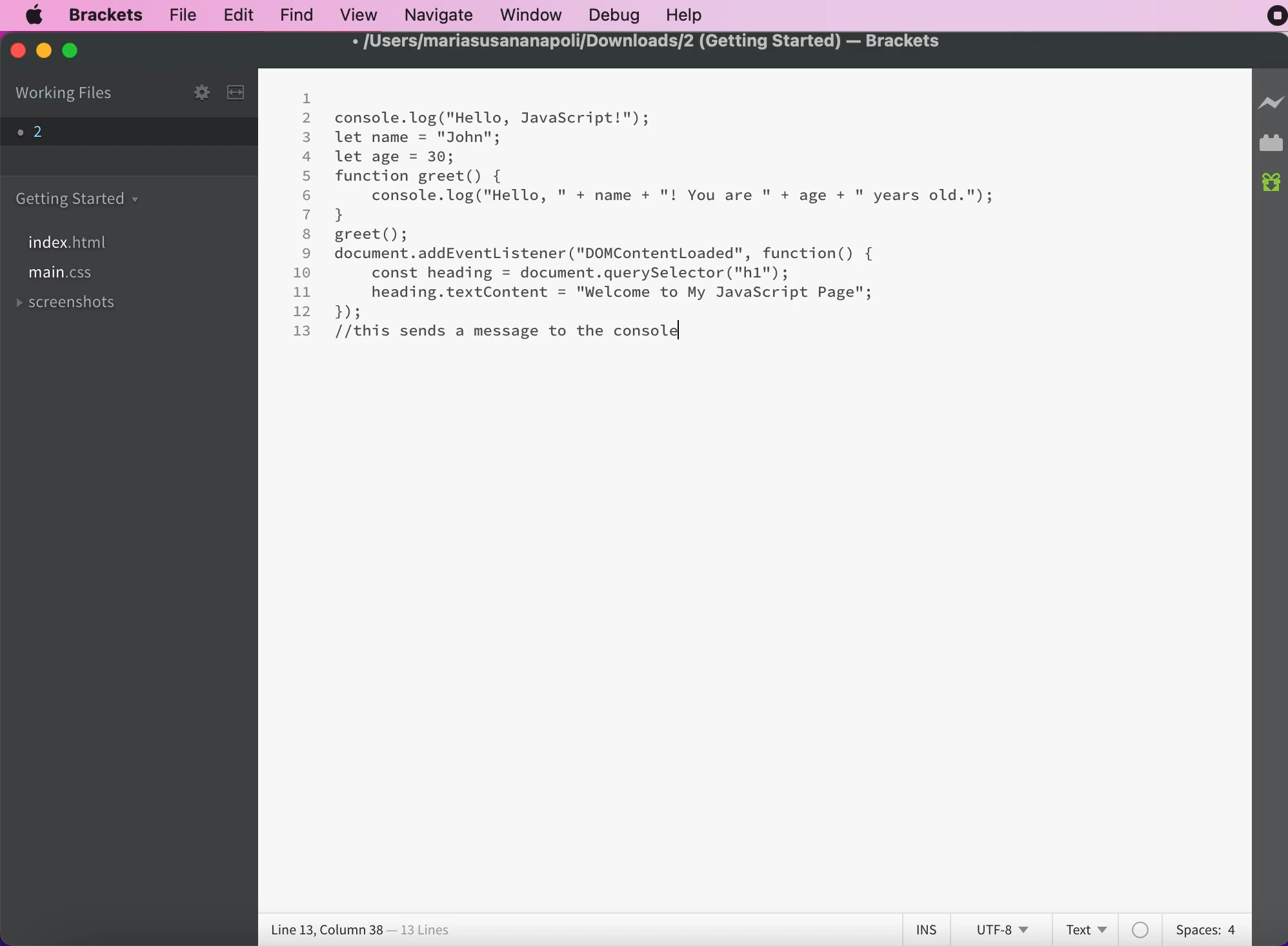  What do you see at coordinates (307, 176) in the screenshot?
I see `5` at bounding box center [307, 176].